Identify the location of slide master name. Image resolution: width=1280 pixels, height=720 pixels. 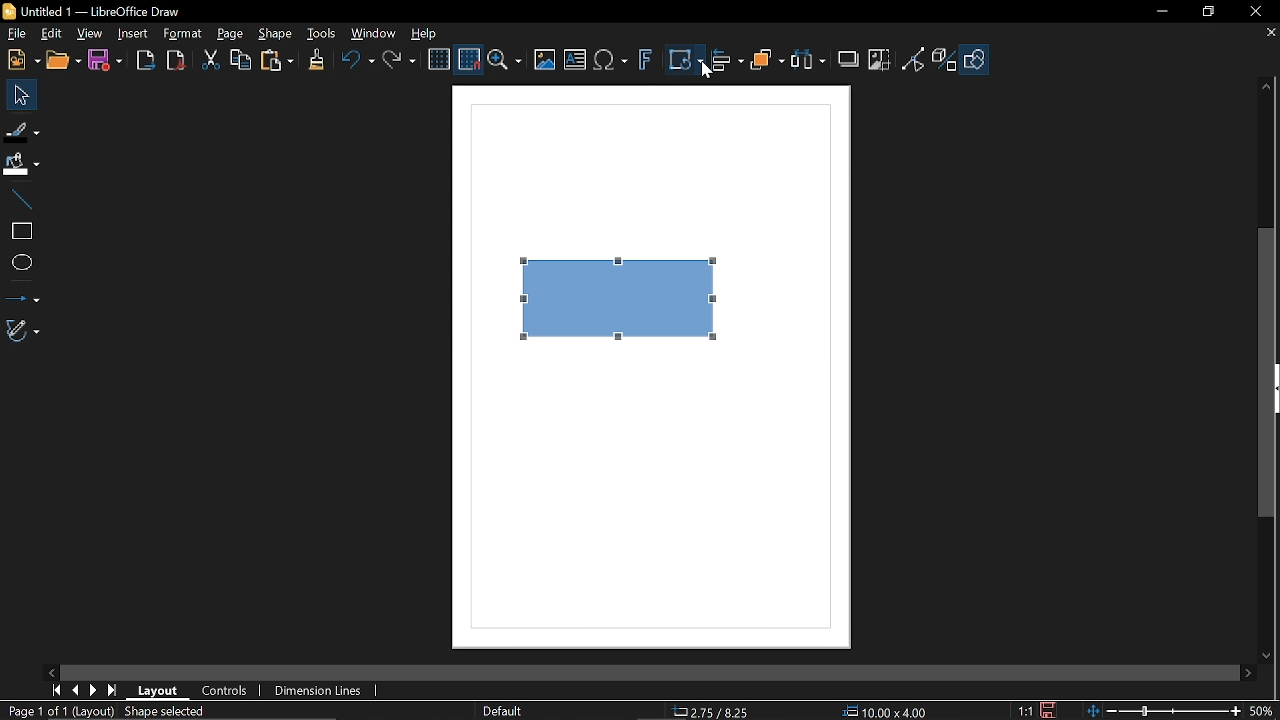
(504, 710).